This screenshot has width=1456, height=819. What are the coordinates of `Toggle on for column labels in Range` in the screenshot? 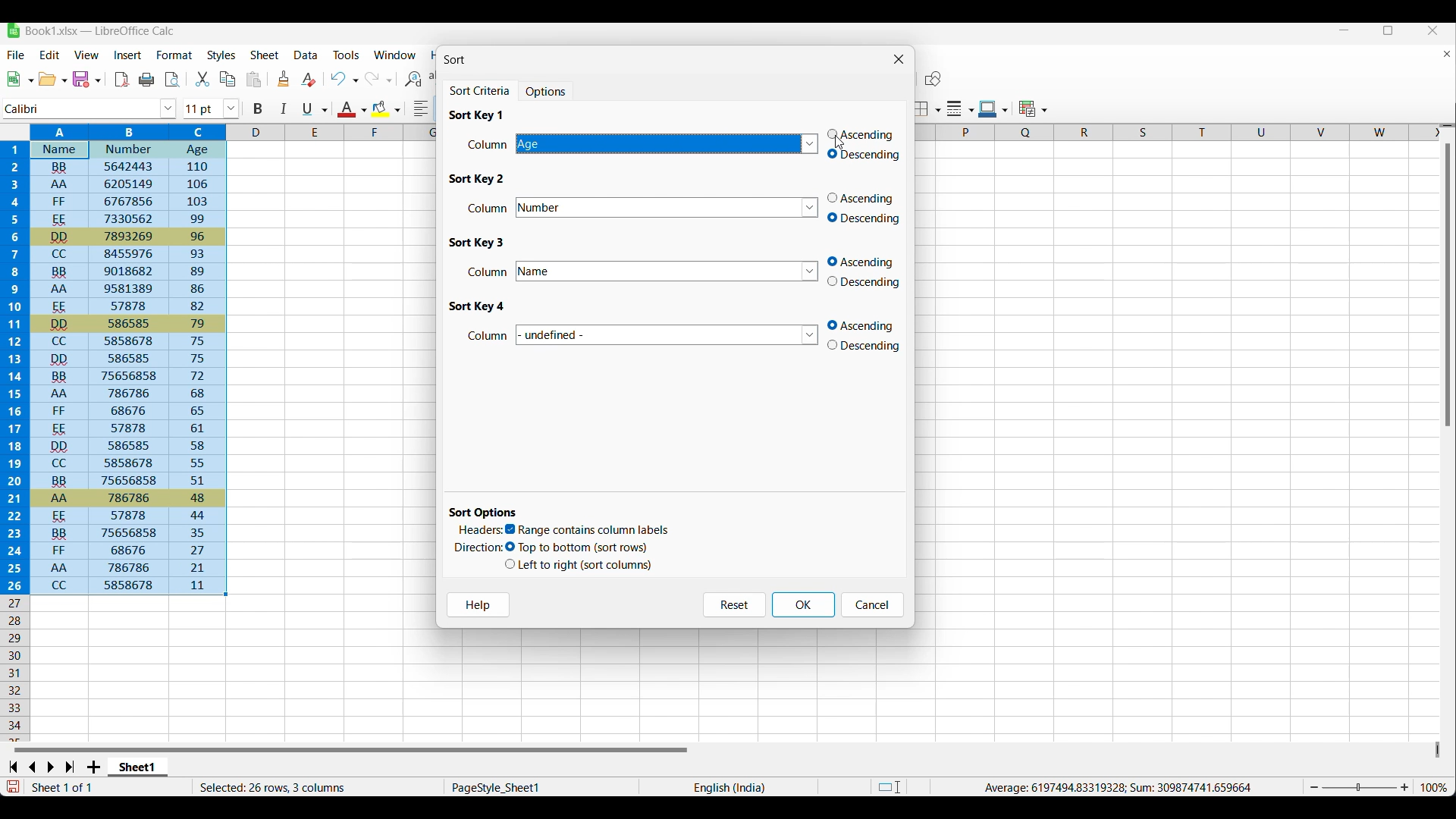 It's located at (588, 530).